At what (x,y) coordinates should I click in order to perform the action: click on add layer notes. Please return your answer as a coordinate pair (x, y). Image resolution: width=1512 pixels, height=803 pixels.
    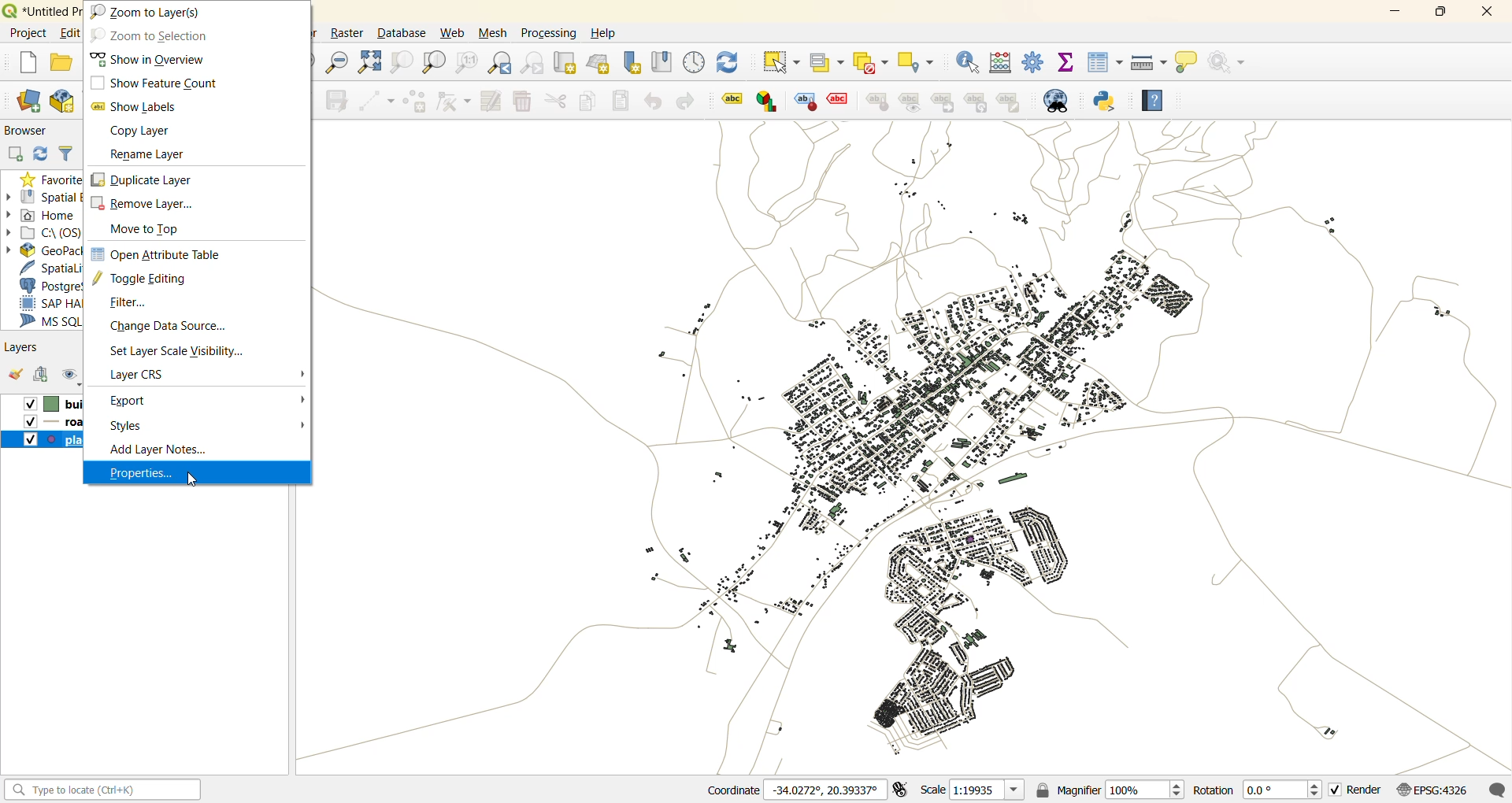
    Looking at the image, I should click on (155, 452).